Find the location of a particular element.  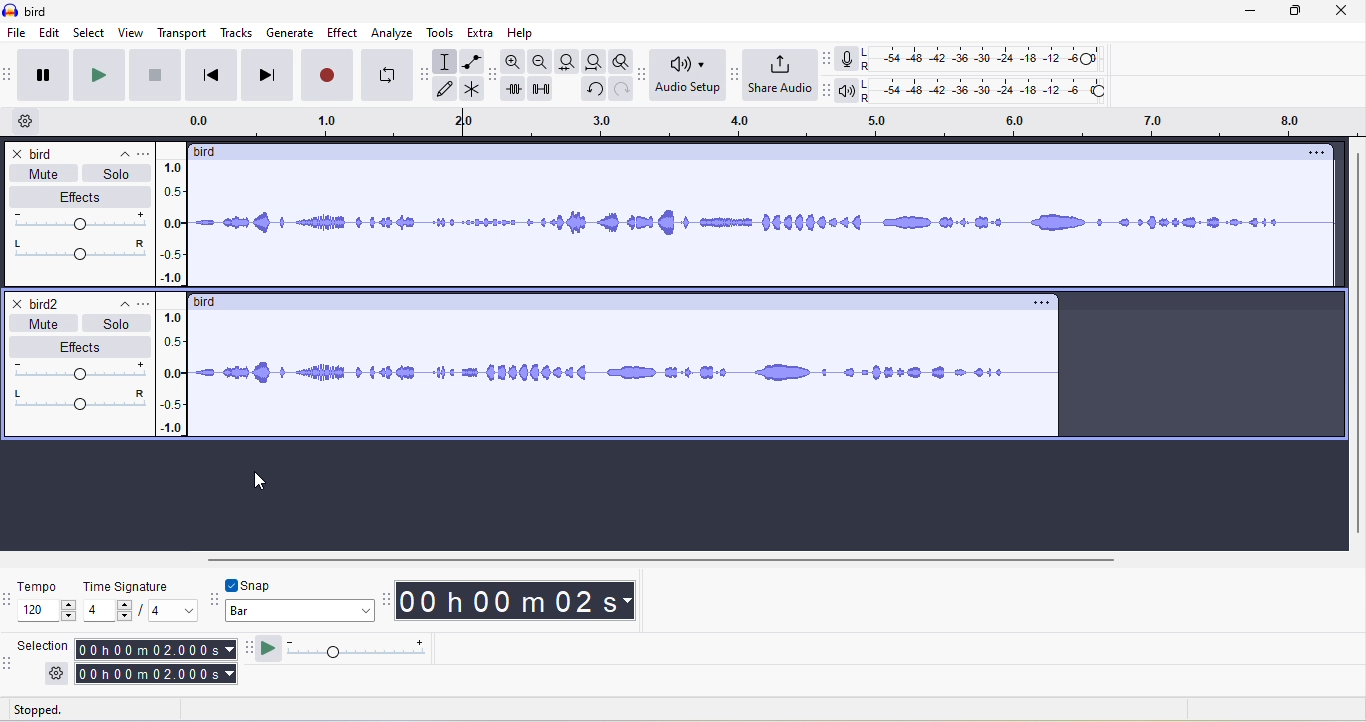

volume is located at coordinates (82, 370).